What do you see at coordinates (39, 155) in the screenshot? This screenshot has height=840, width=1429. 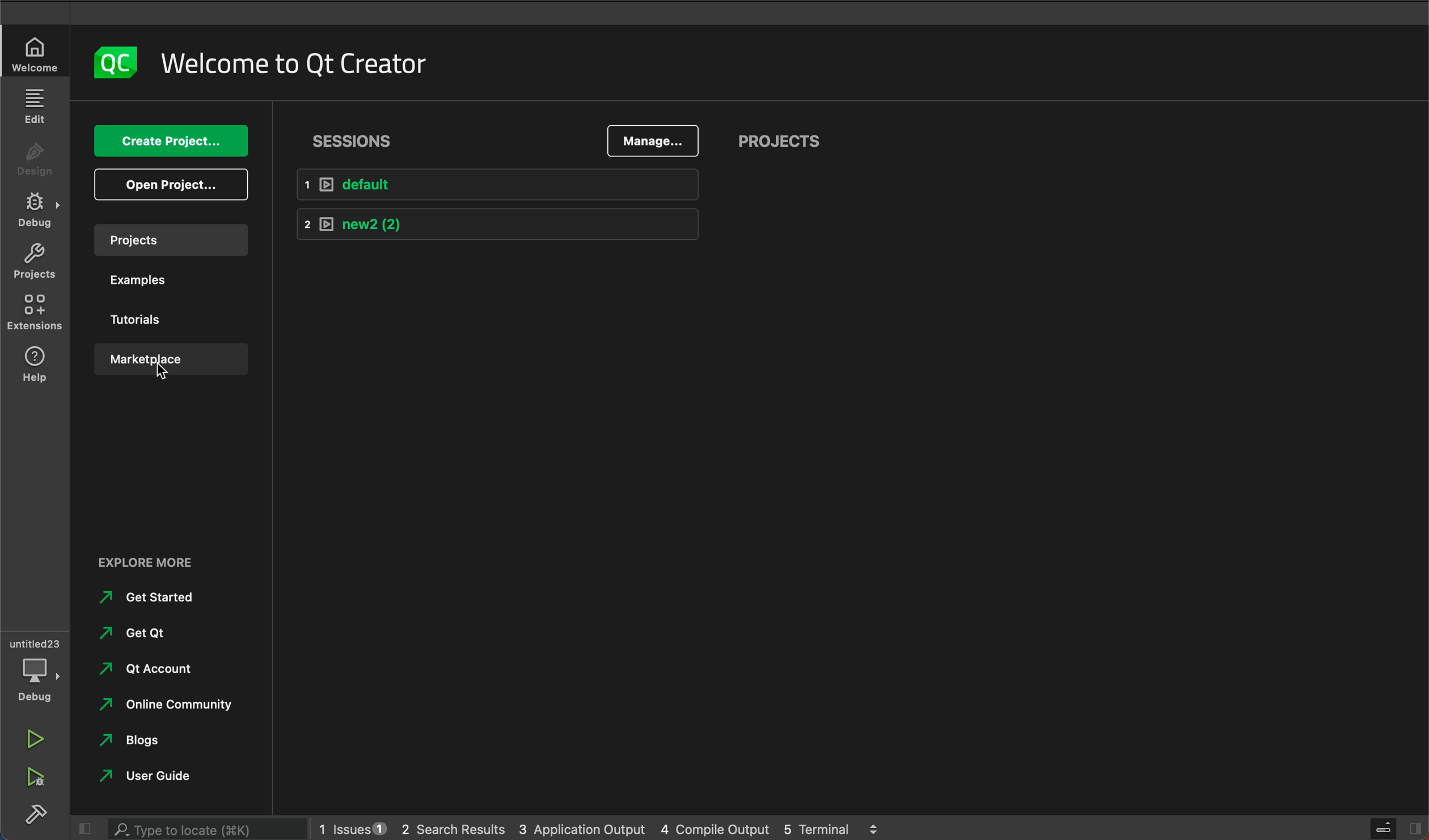 I see `design` at bounding box center [39, 155].